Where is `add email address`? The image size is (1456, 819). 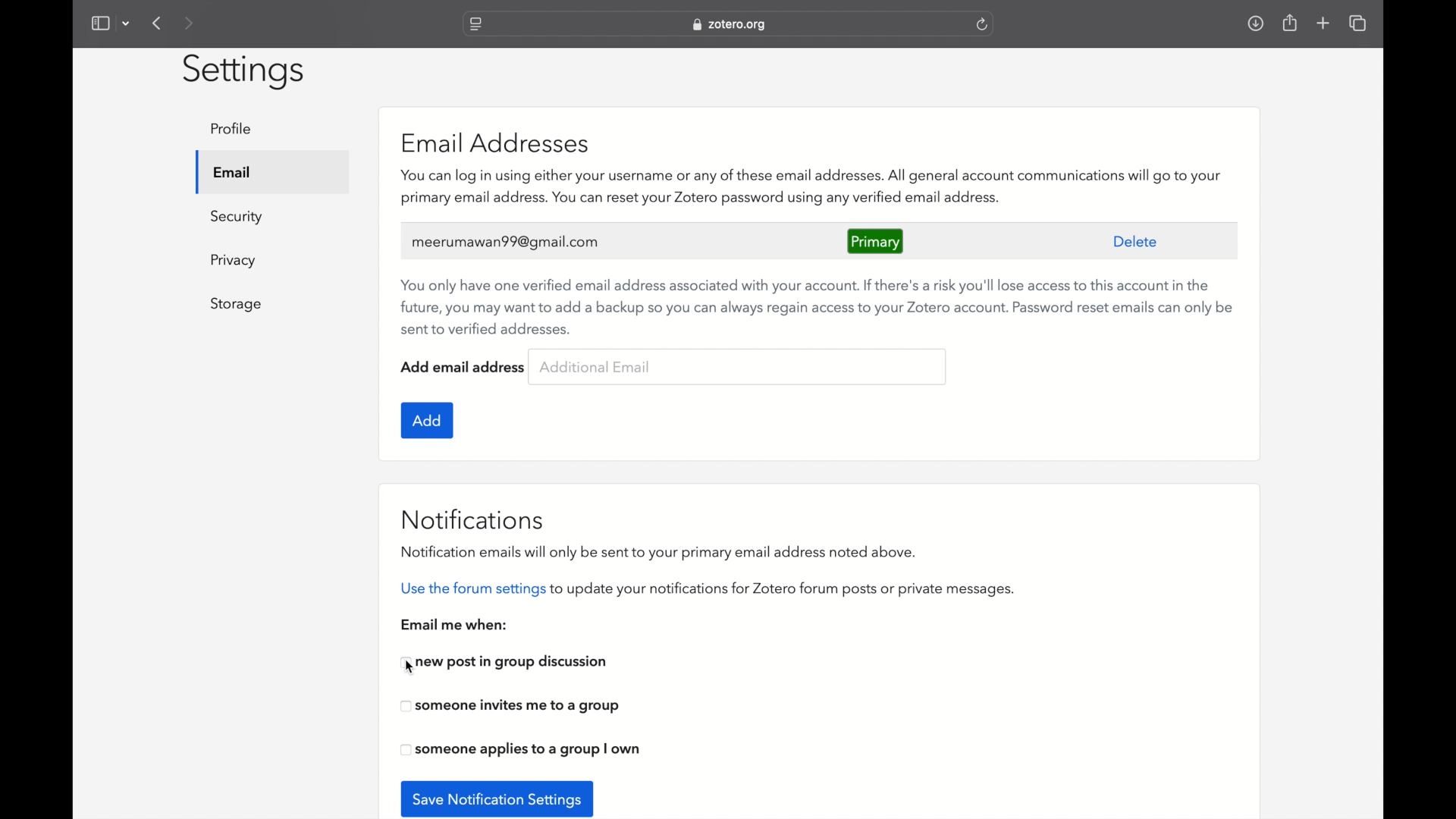
add email address is located at coordinates (463, 367).